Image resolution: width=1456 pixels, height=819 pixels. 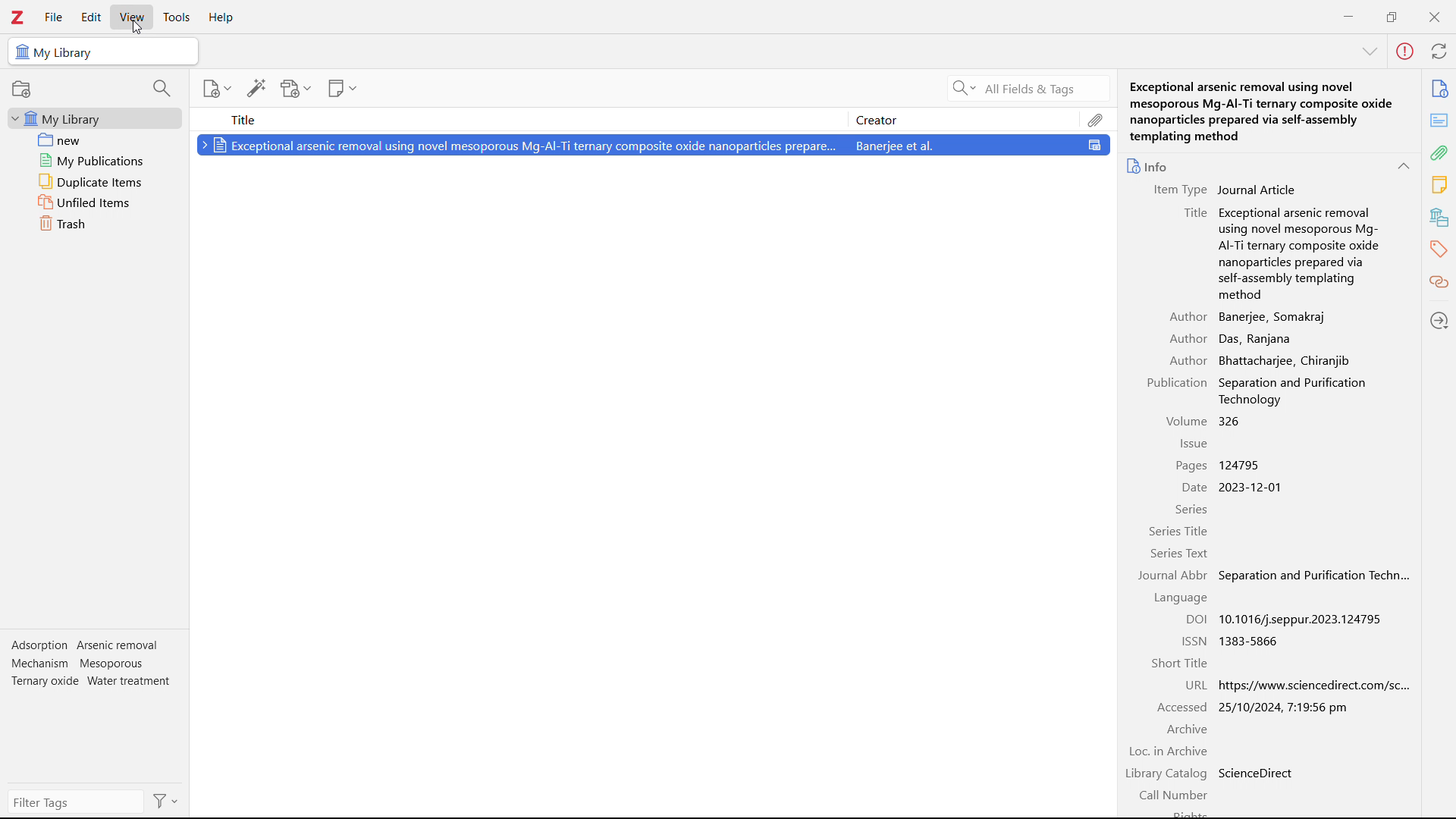 What do you see at coordinates (1439, 153) in the screenshot?
I see `attachments` at bounding box center [1439, 153].